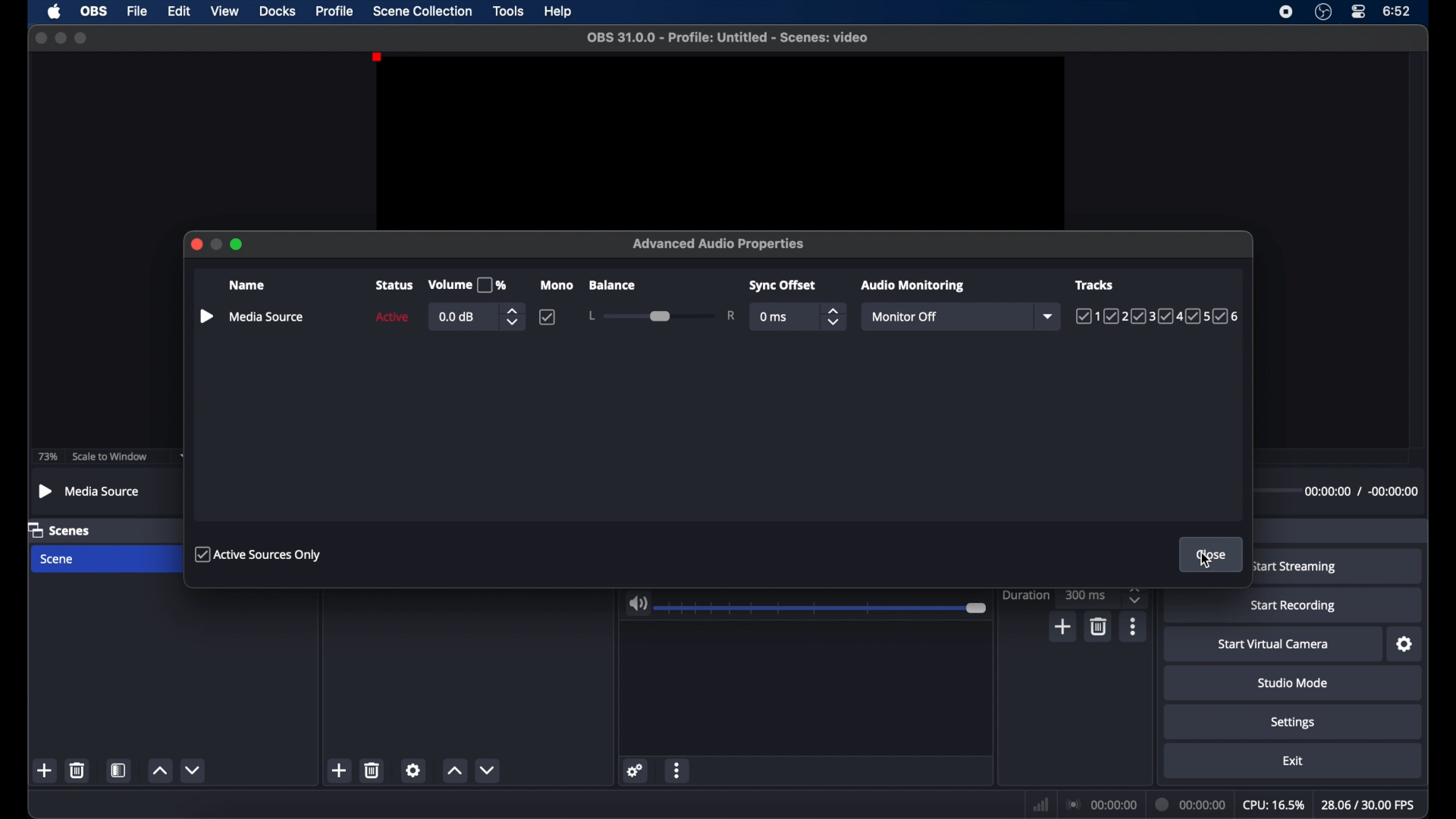 The width and height of the screenshot is (1456, 819). I want to click on obs, so click(96, 11).